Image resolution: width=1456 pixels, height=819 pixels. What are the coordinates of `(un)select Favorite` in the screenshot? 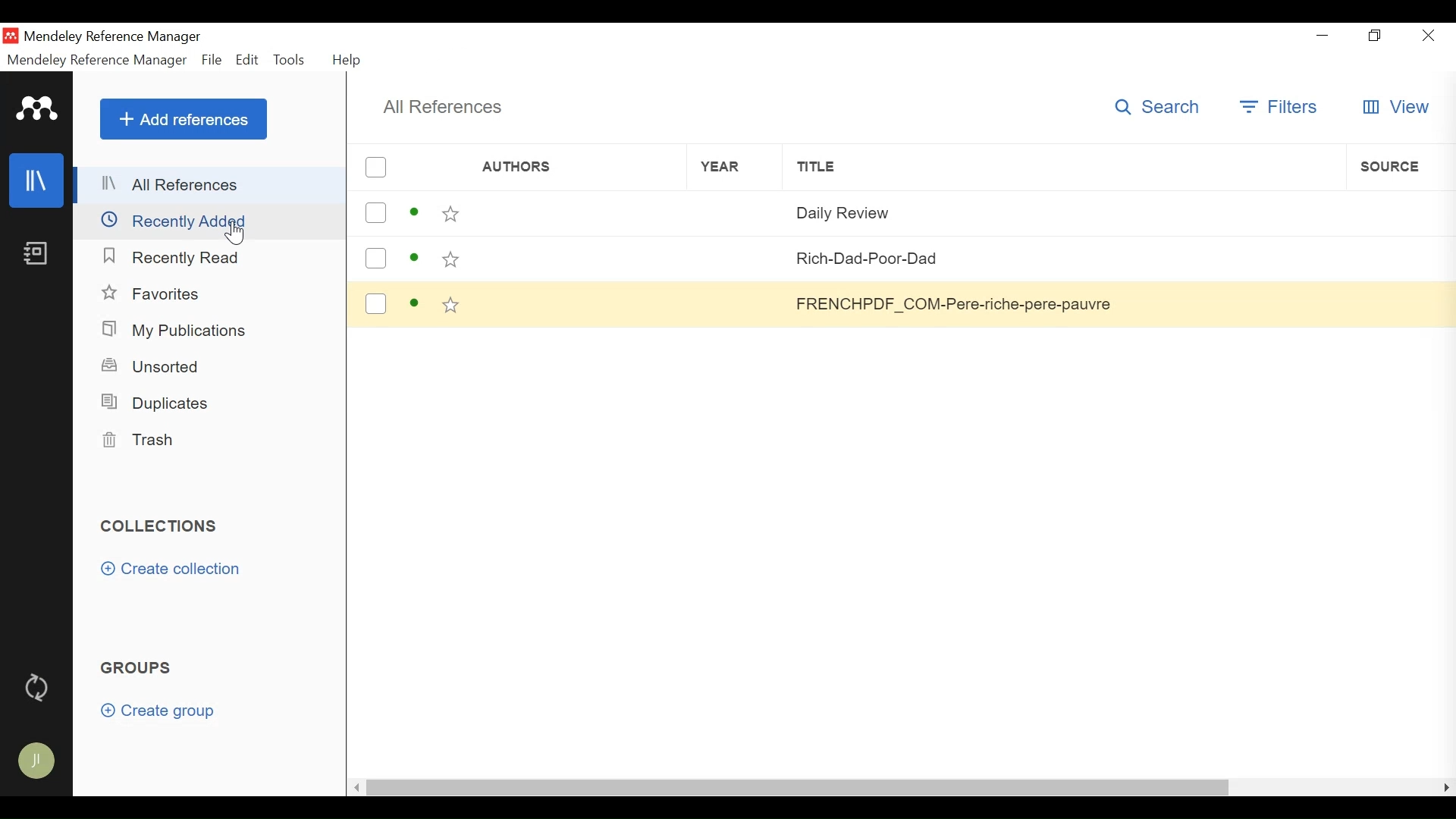 It's located at (450, 215).